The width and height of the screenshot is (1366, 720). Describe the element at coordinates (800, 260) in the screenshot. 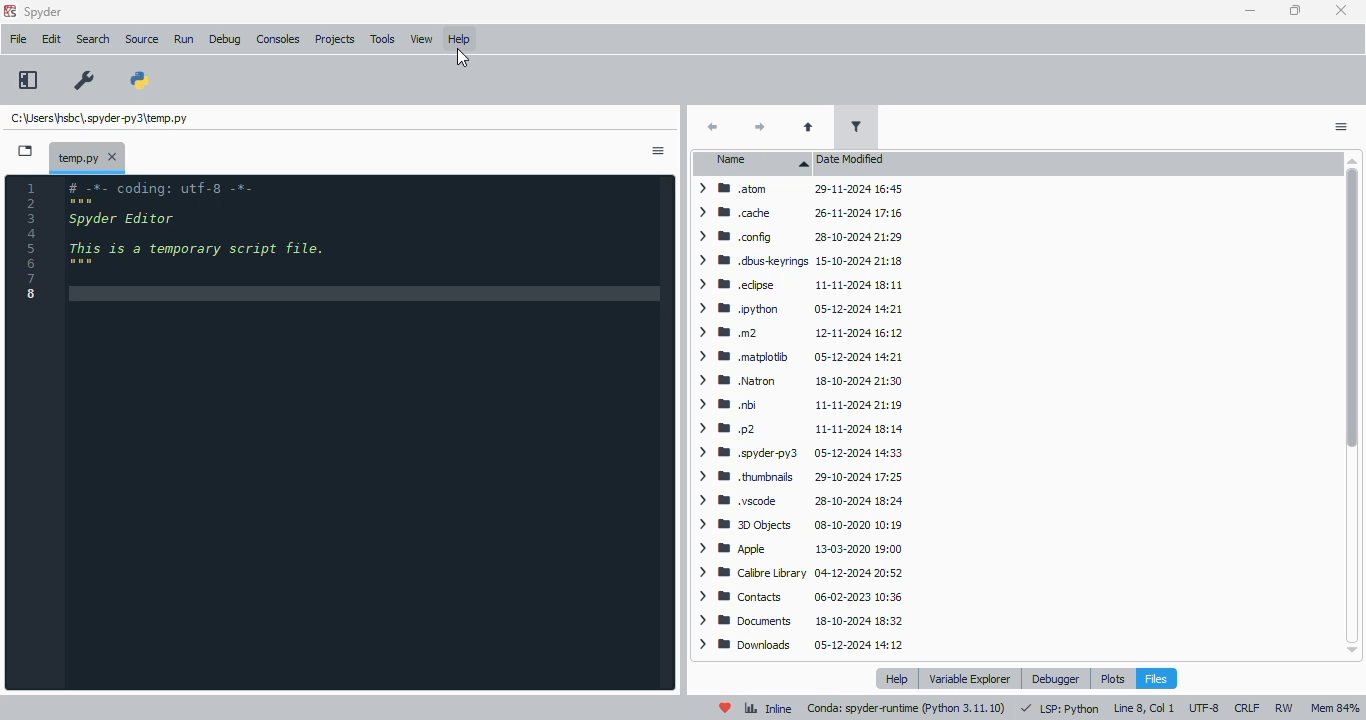

I see `> WM .dbuskeyrings 15-10-2024 21:18` at that location.